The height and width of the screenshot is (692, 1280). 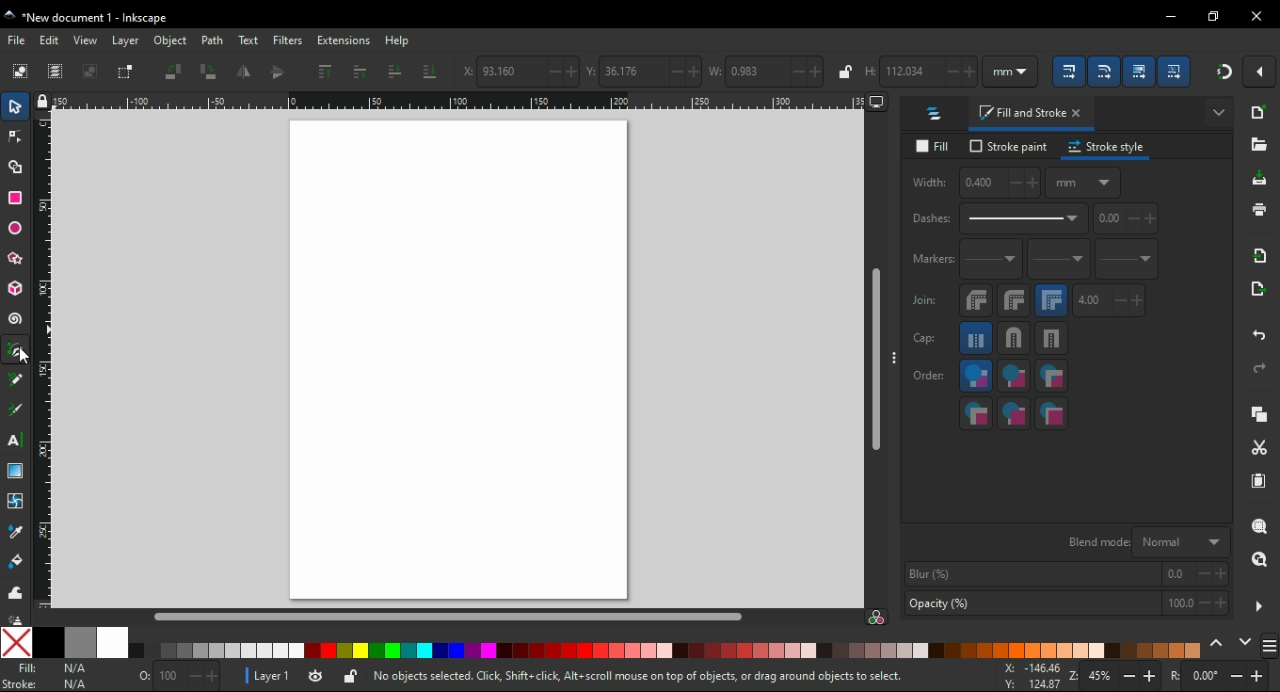 What do you see at coordinates (16, 135) in the screenshot?
I see `node tool` at bounding box center [16, 135].